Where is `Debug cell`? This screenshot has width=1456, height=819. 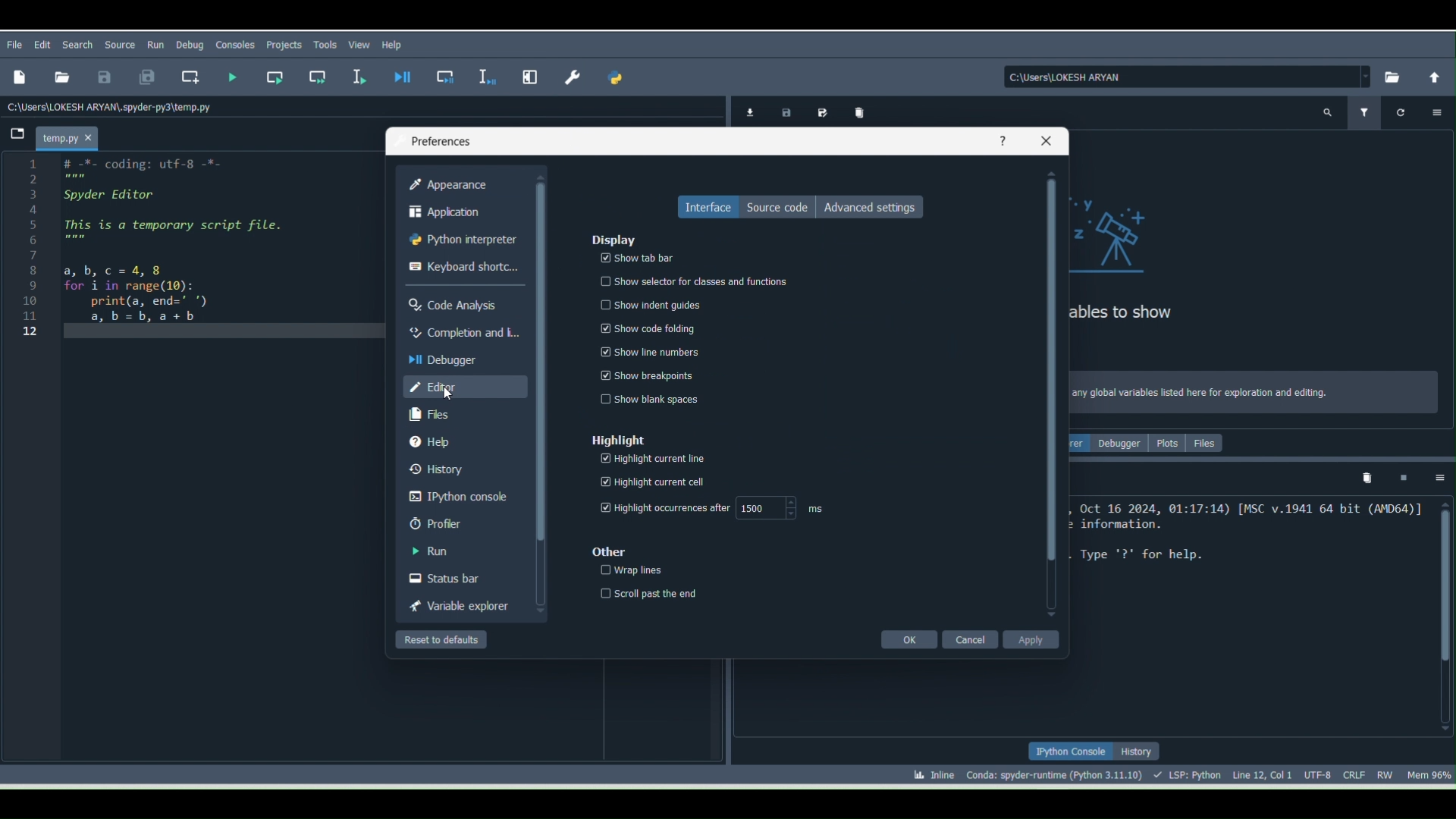
Debug cell is located at coordinates (447, 77).